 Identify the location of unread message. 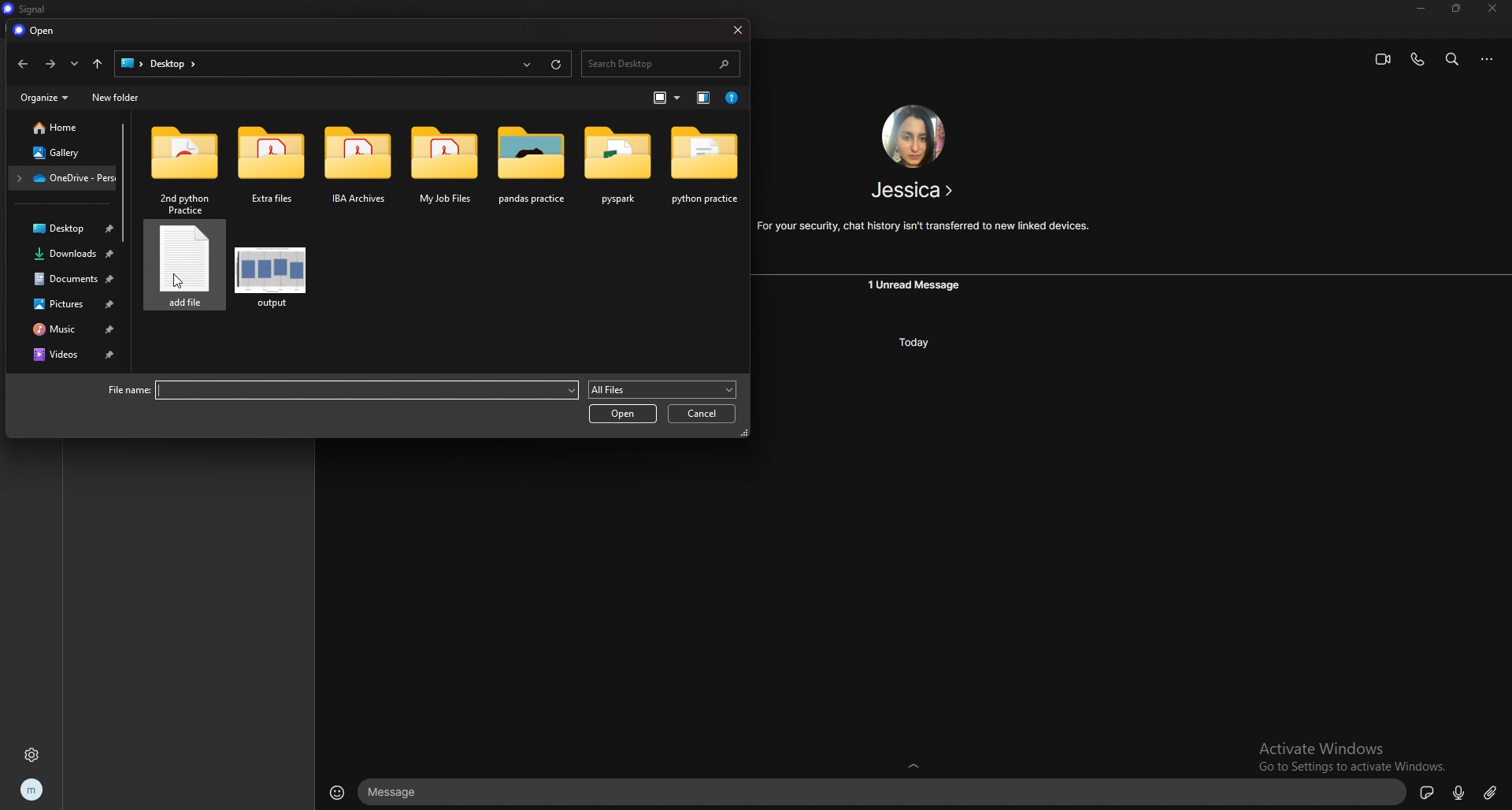
(916, 285).